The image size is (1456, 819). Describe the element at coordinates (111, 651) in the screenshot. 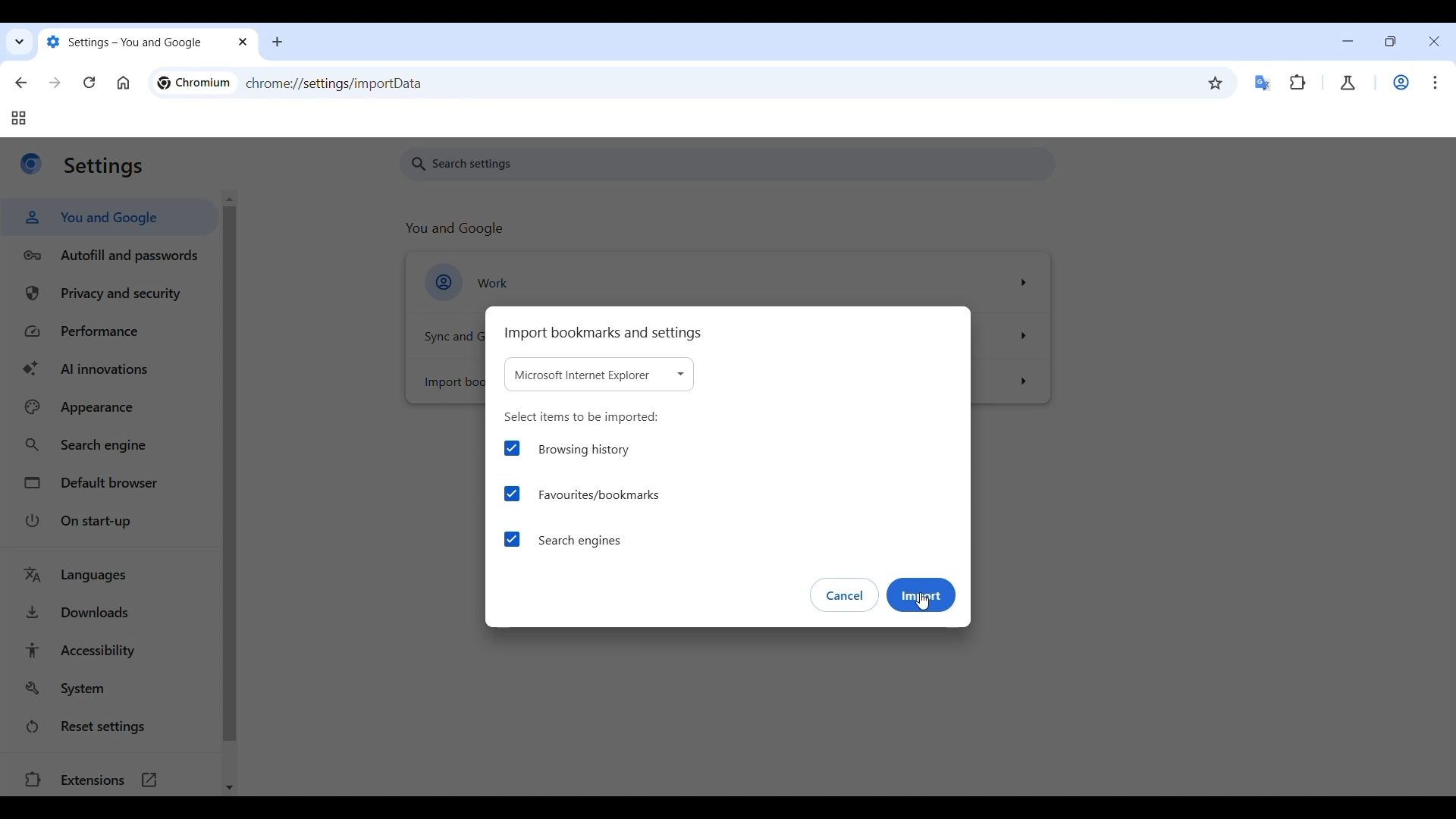

I see `Accessibility` at that location.